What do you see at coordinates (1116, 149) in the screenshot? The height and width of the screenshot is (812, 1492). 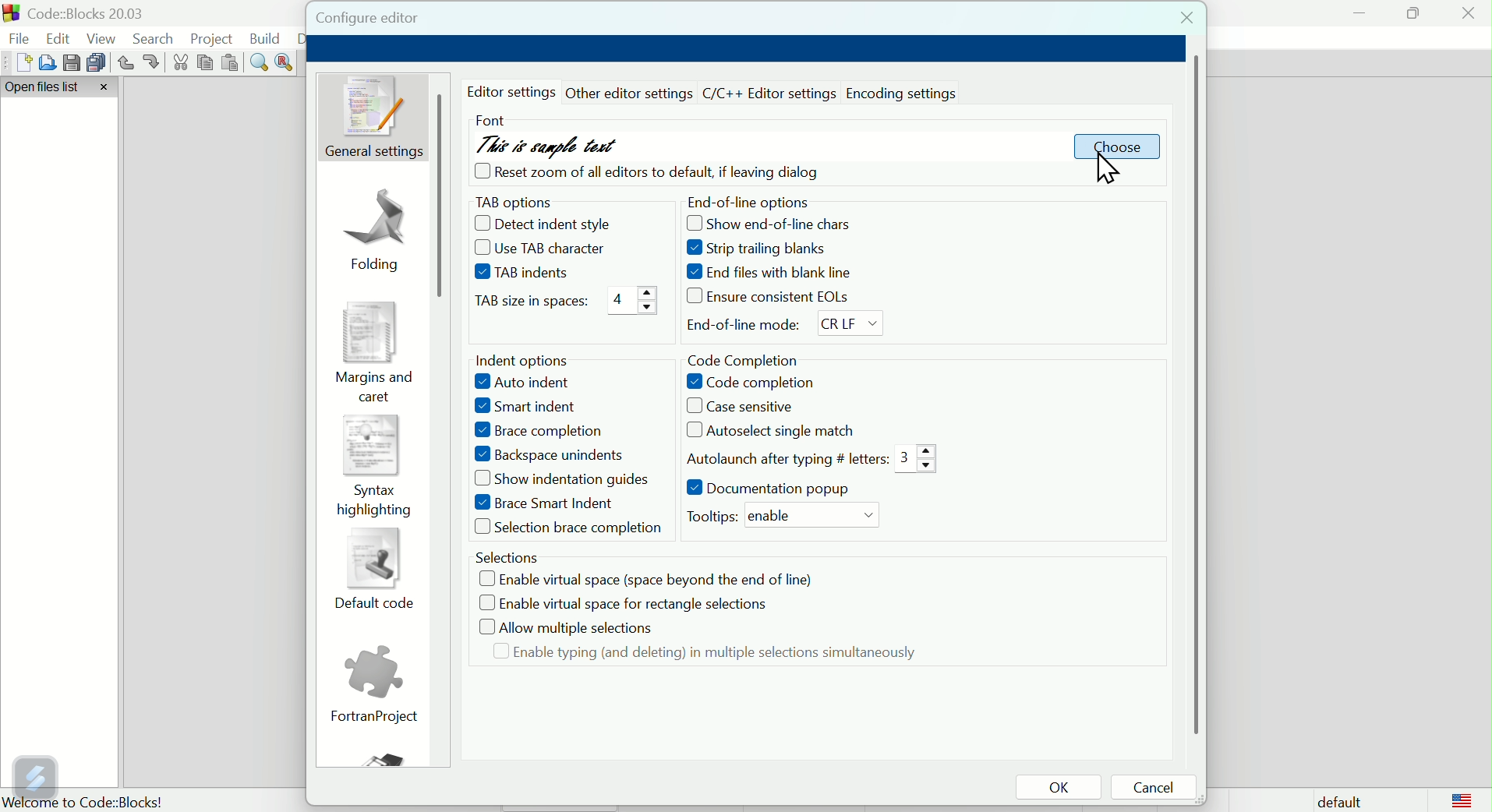 I see `Choose` at bounding box center [1116, 149].